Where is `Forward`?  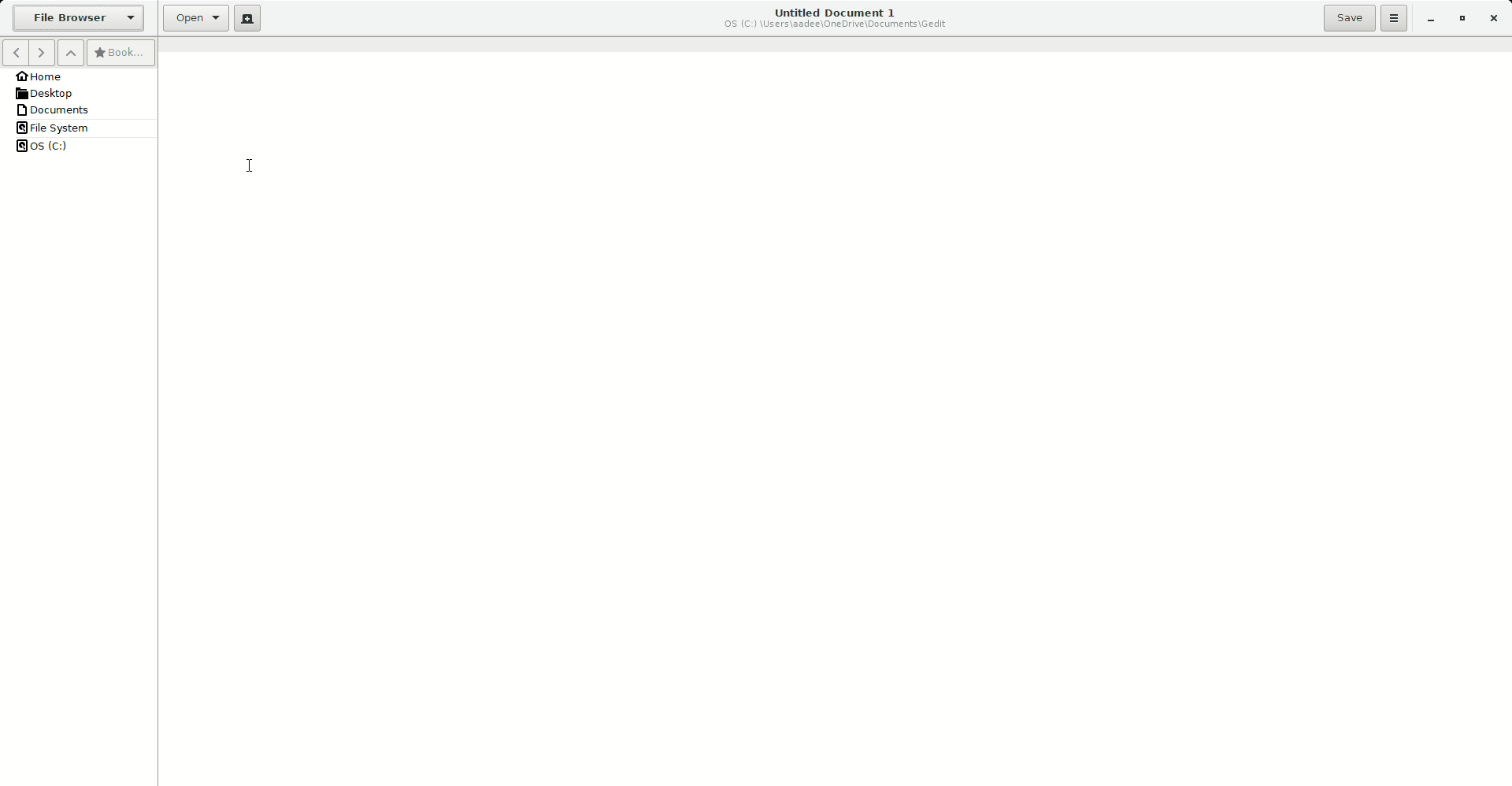 Forward is located at coordinates (42, 52).